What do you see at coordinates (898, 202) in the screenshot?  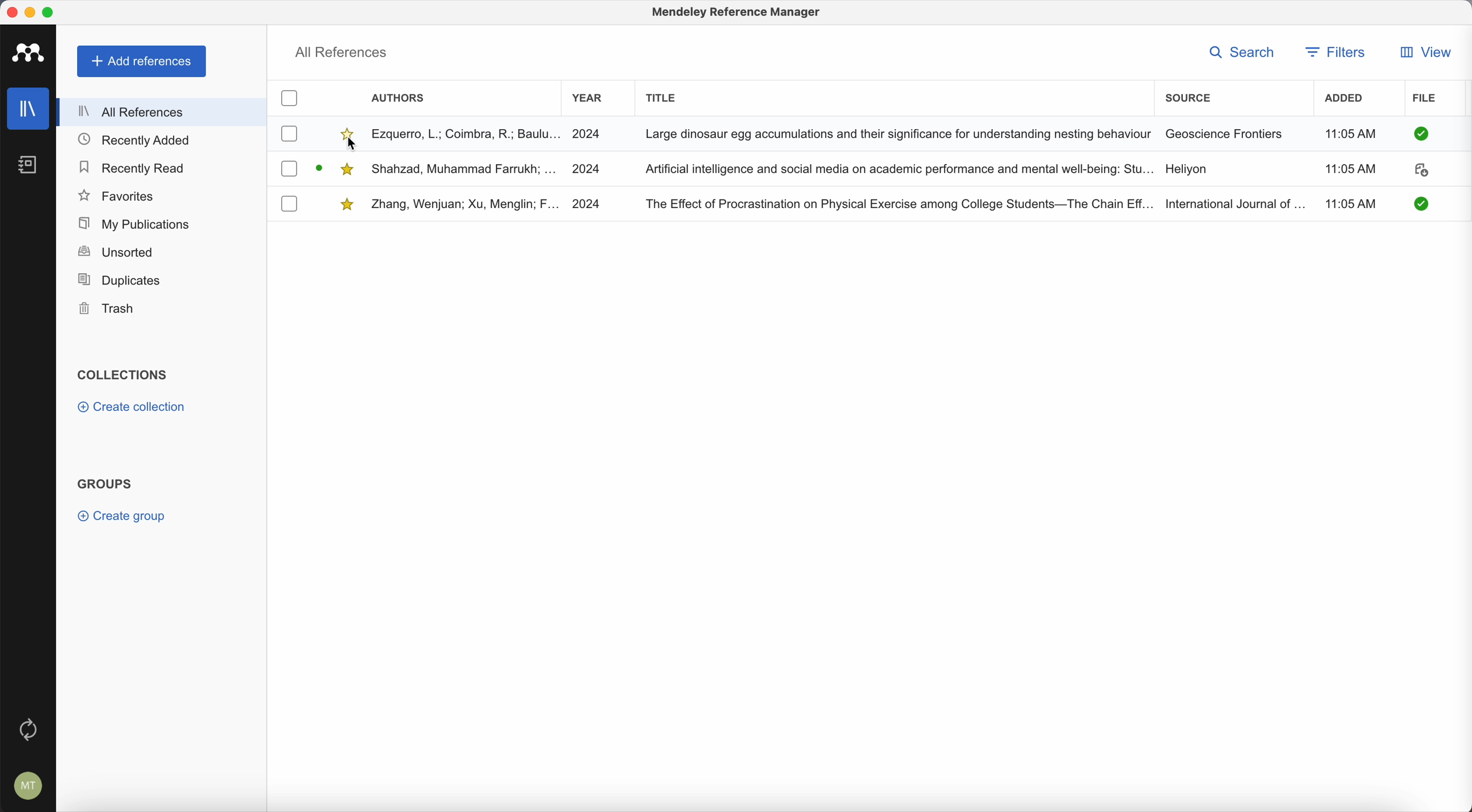 I see `The Effect of Procastination on phtysical exercise college students - The Chain Eff...` at bounding box center [898, 202].